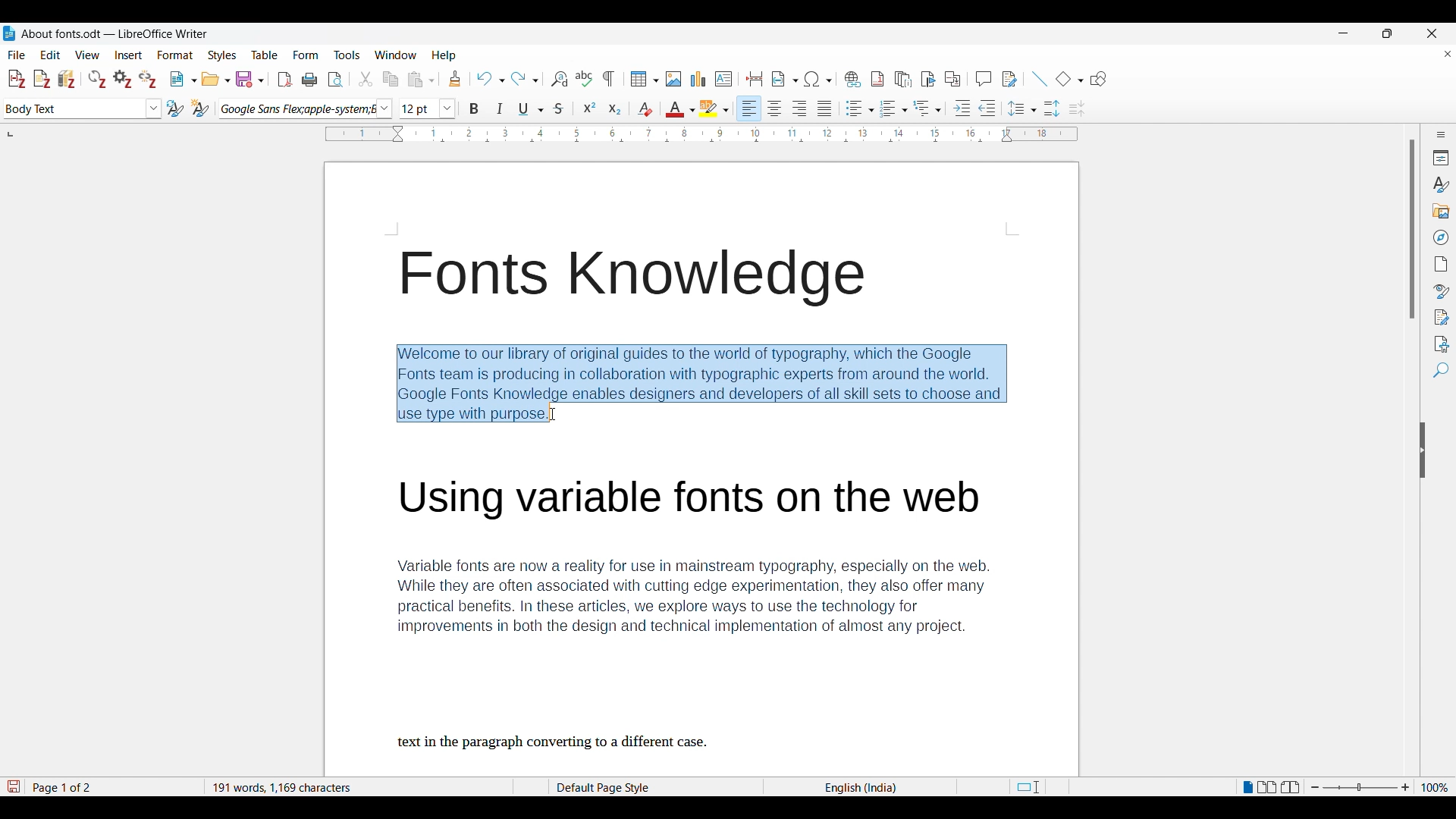 Image resolution: width=1456 pixels, height=819 pixels. Describe the element at coordinates (396, 55) in the screenshot. I see `Window menu` at that location.